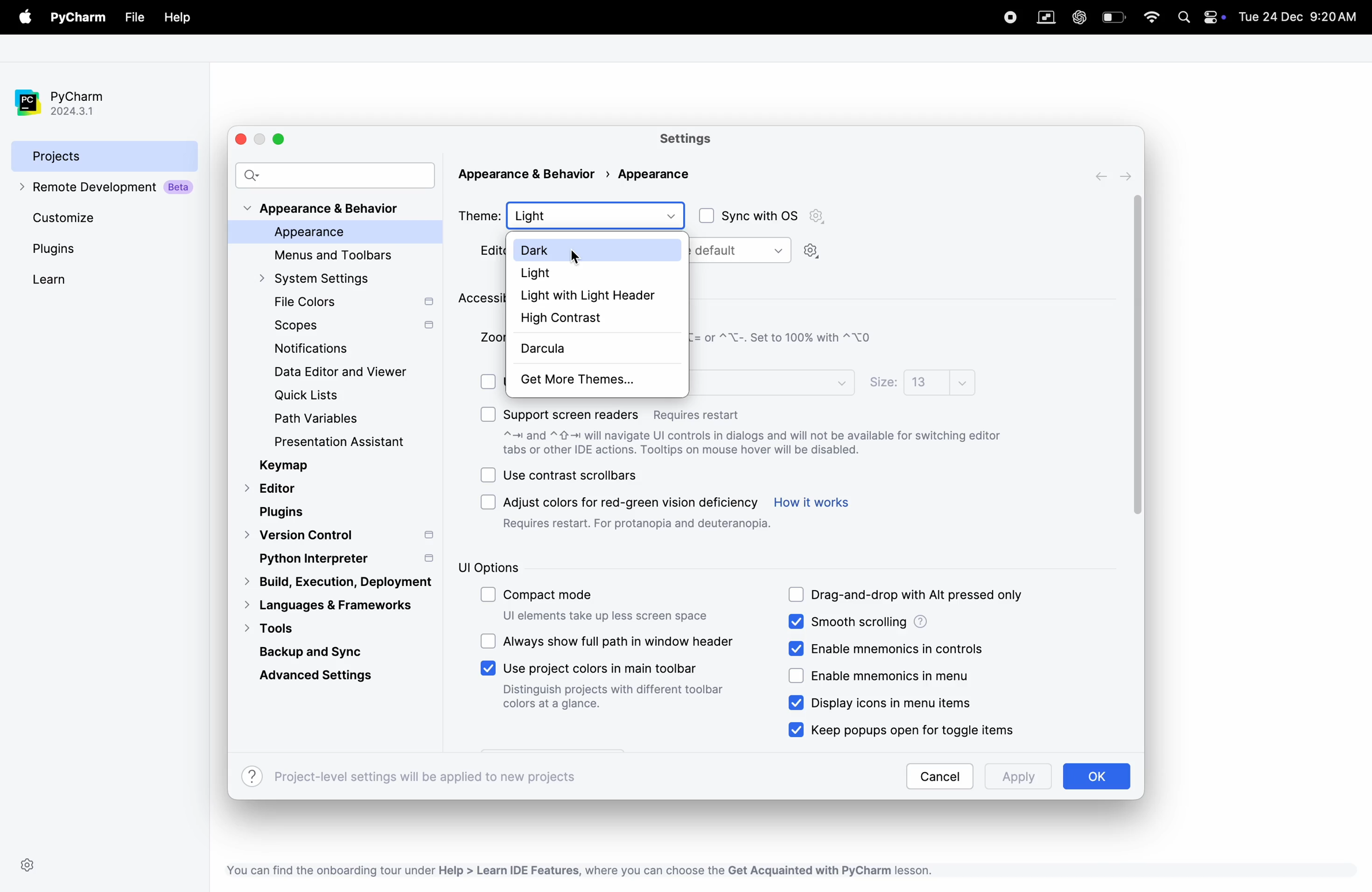 The image size is (1372, 892). I want to click on display icons and menubar, so click(872, 703).